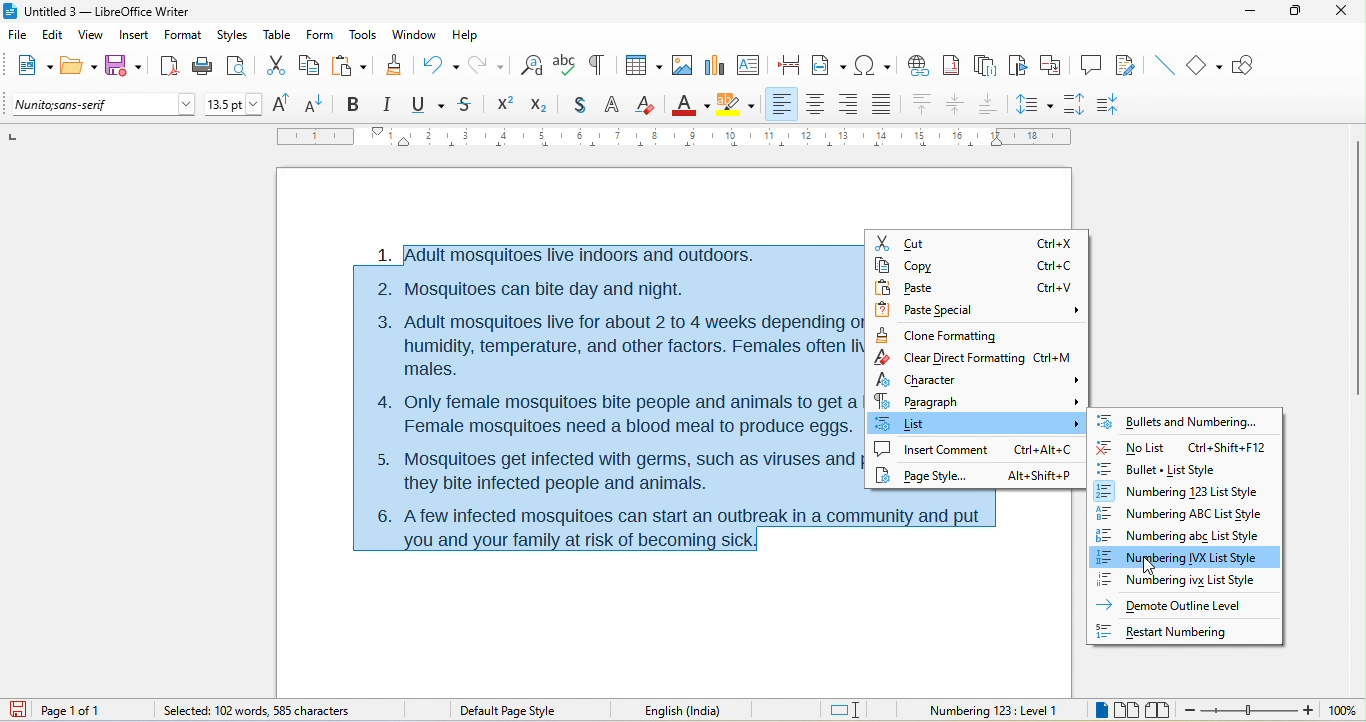 The width and height of the screenshot is (1366, 722). I want to click on insert line, so click(1163, 64).